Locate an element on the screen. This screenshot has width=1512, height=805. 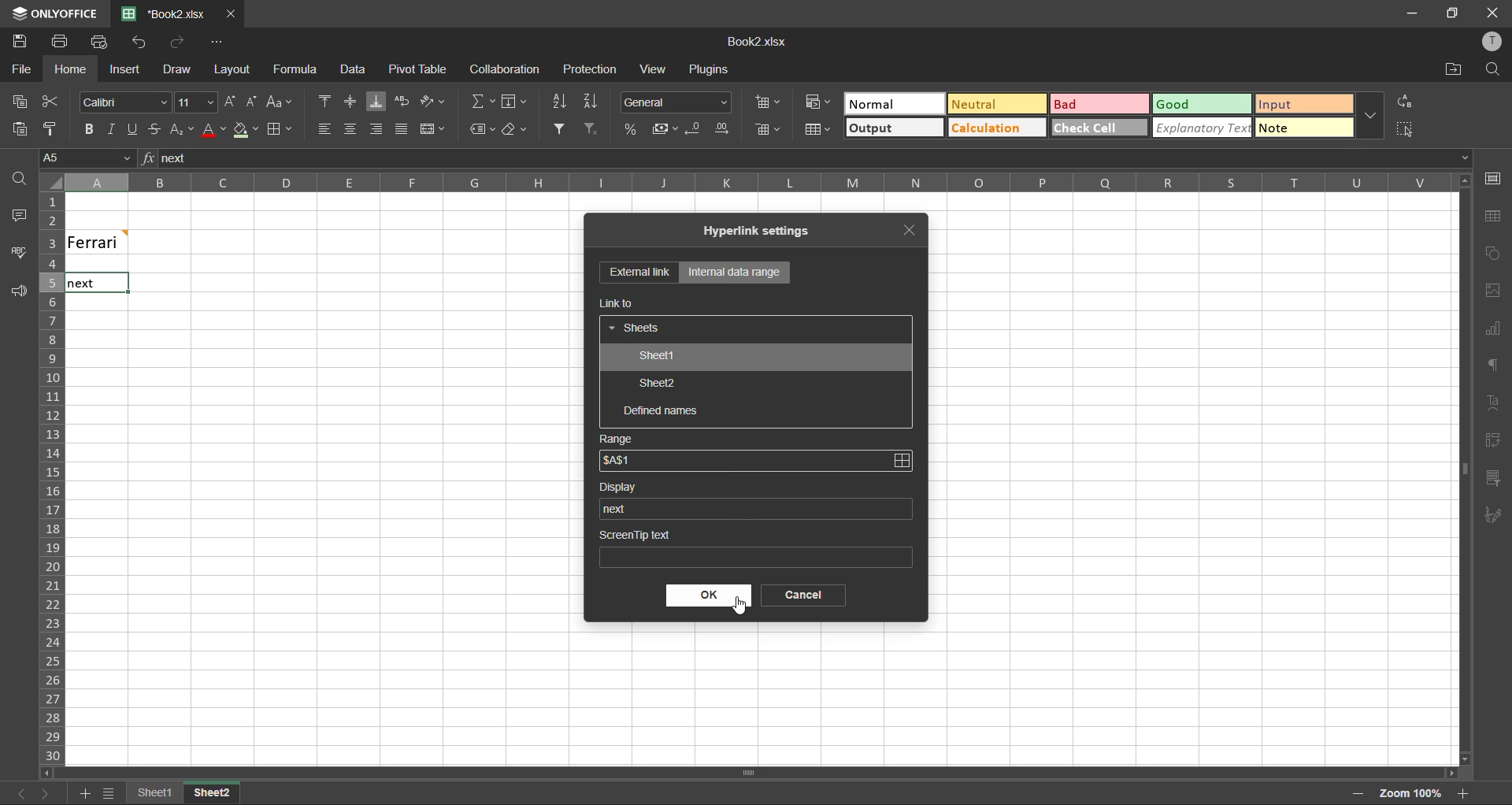
justified is located at coordinates (402, 130).